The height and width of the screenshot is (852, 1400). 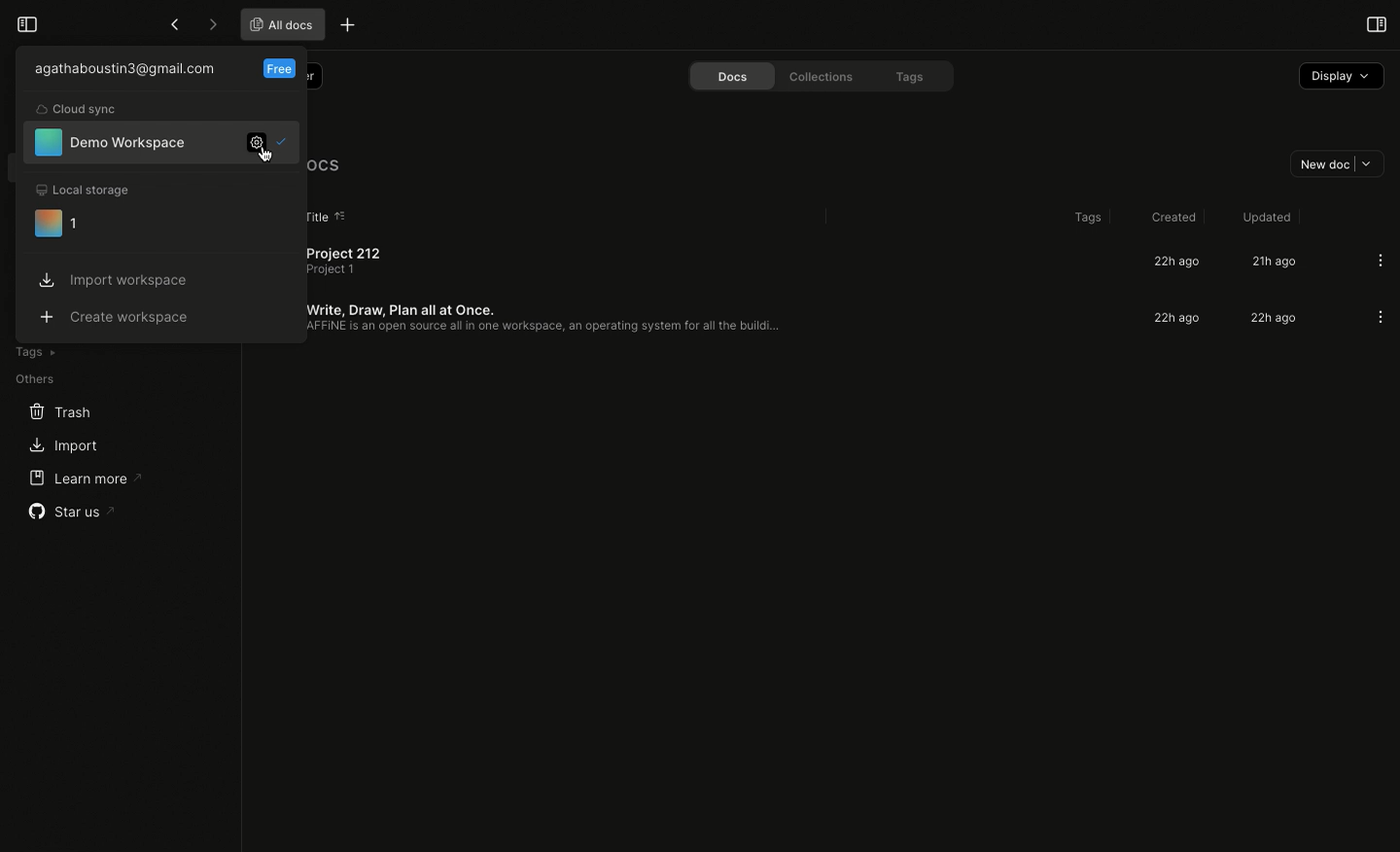 I want to click on 22h ago, so click(x=1172, y=262).